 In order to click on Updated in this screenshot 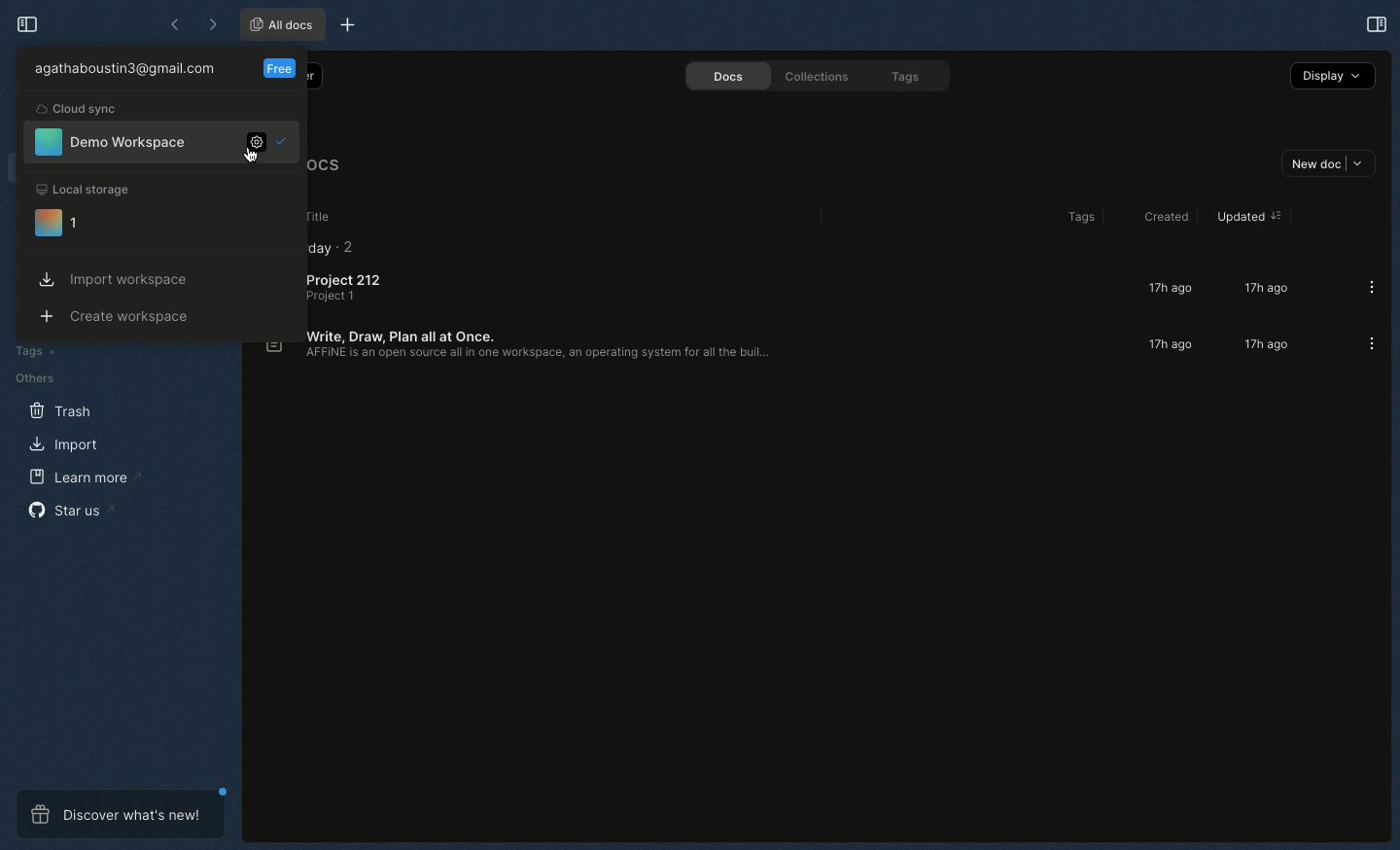, I will do `click(1246, 217)`.